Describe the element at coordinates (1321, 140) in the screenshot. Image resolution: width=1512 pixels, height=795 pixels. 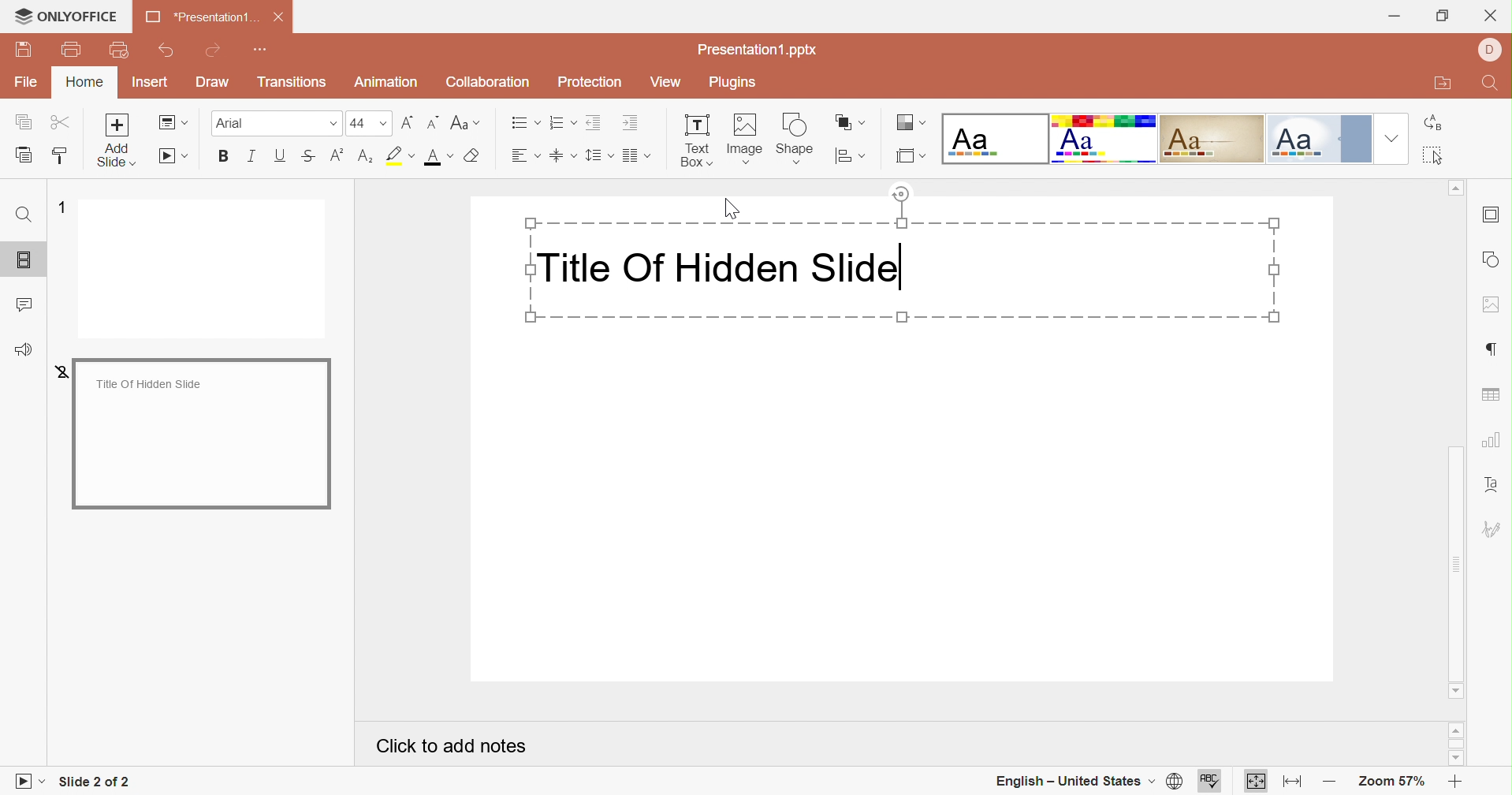
I see `Official` at that location.